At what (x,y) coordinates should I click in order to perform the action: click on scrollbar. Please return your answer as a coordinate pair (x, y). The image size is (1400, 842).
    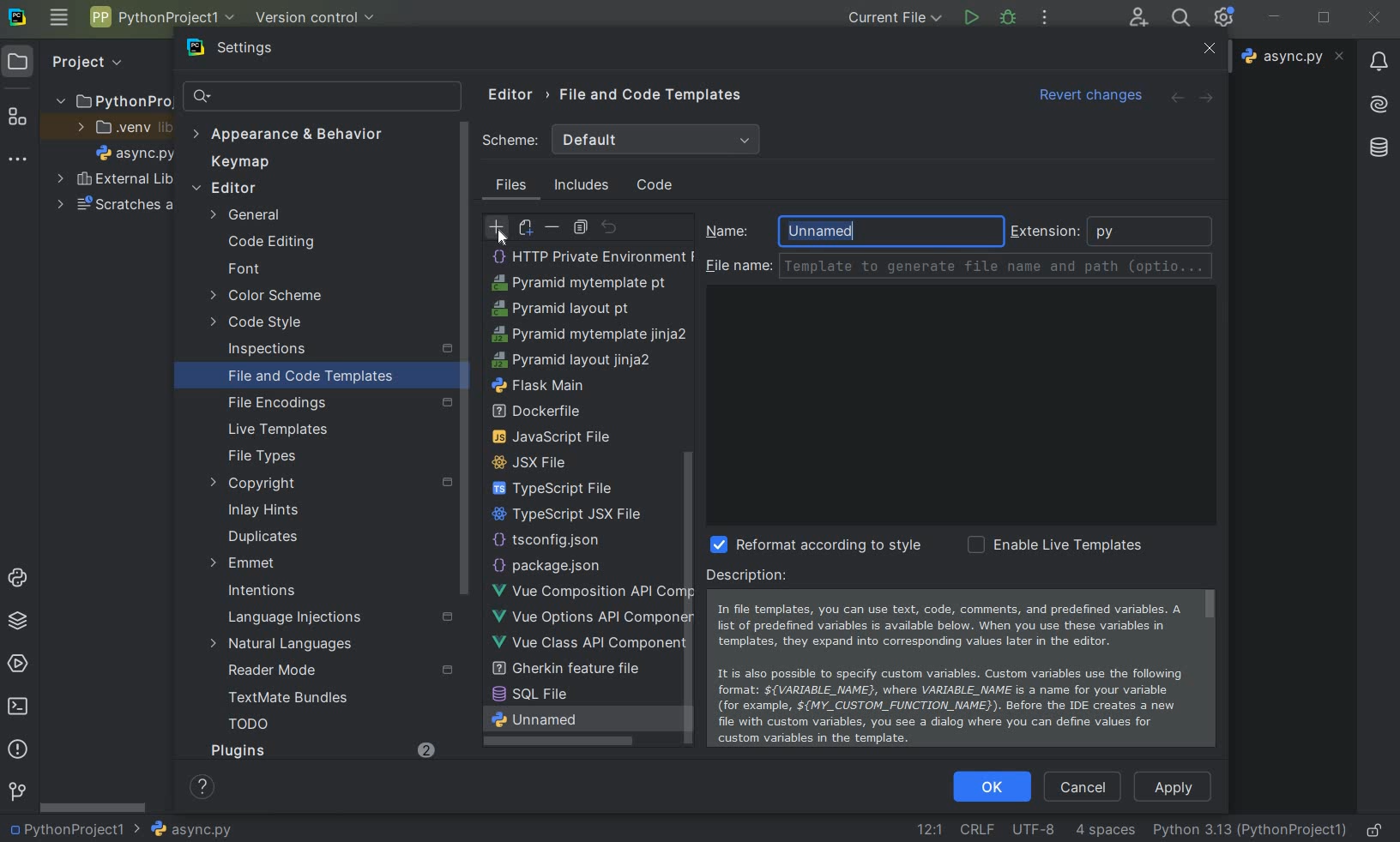
    Looking at the image, I should click on (688, 396).